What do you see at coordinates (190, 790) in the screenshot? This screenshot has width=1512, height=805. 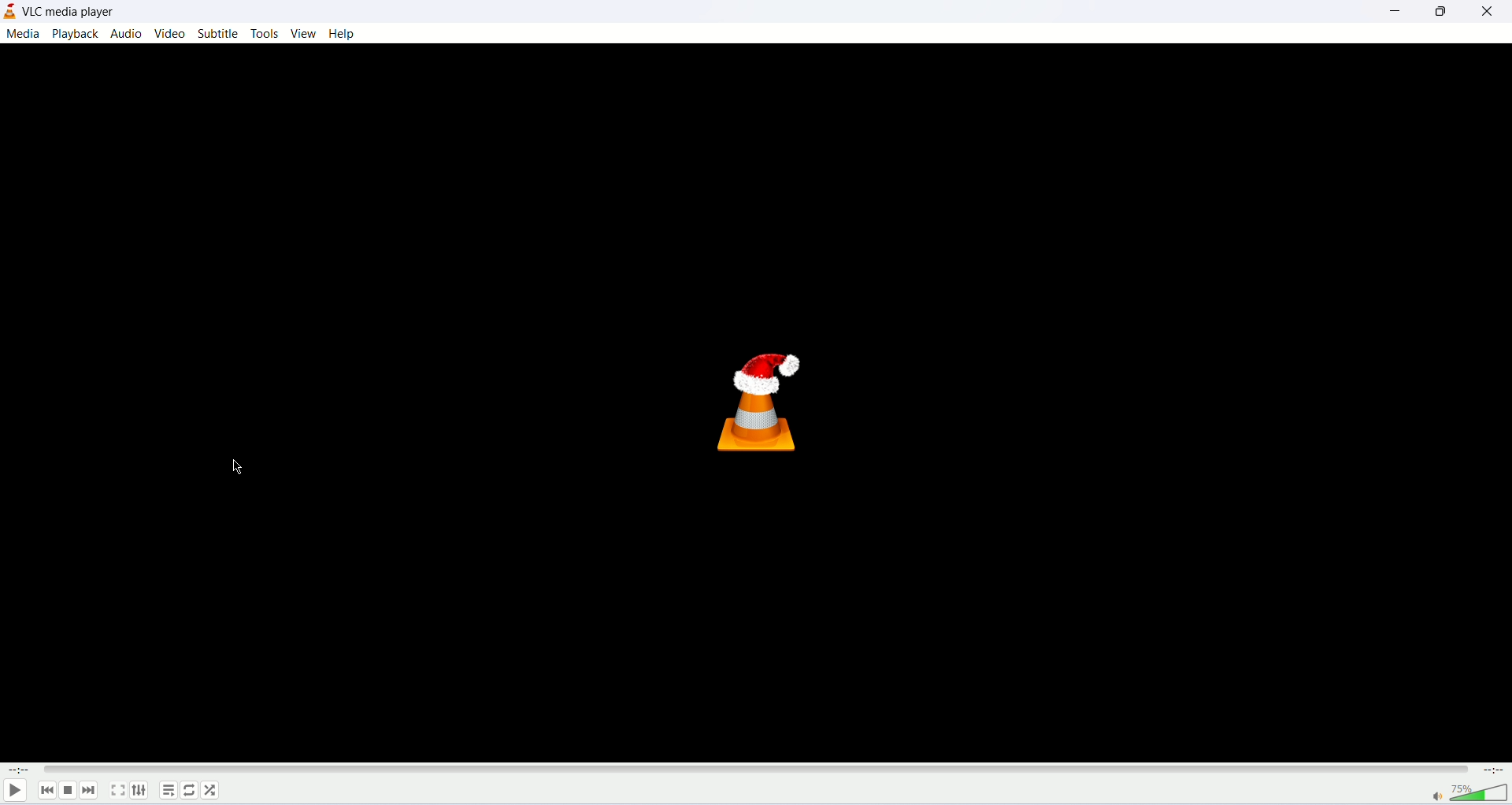 I see `toggle loop` at bounding box center [190, 790].